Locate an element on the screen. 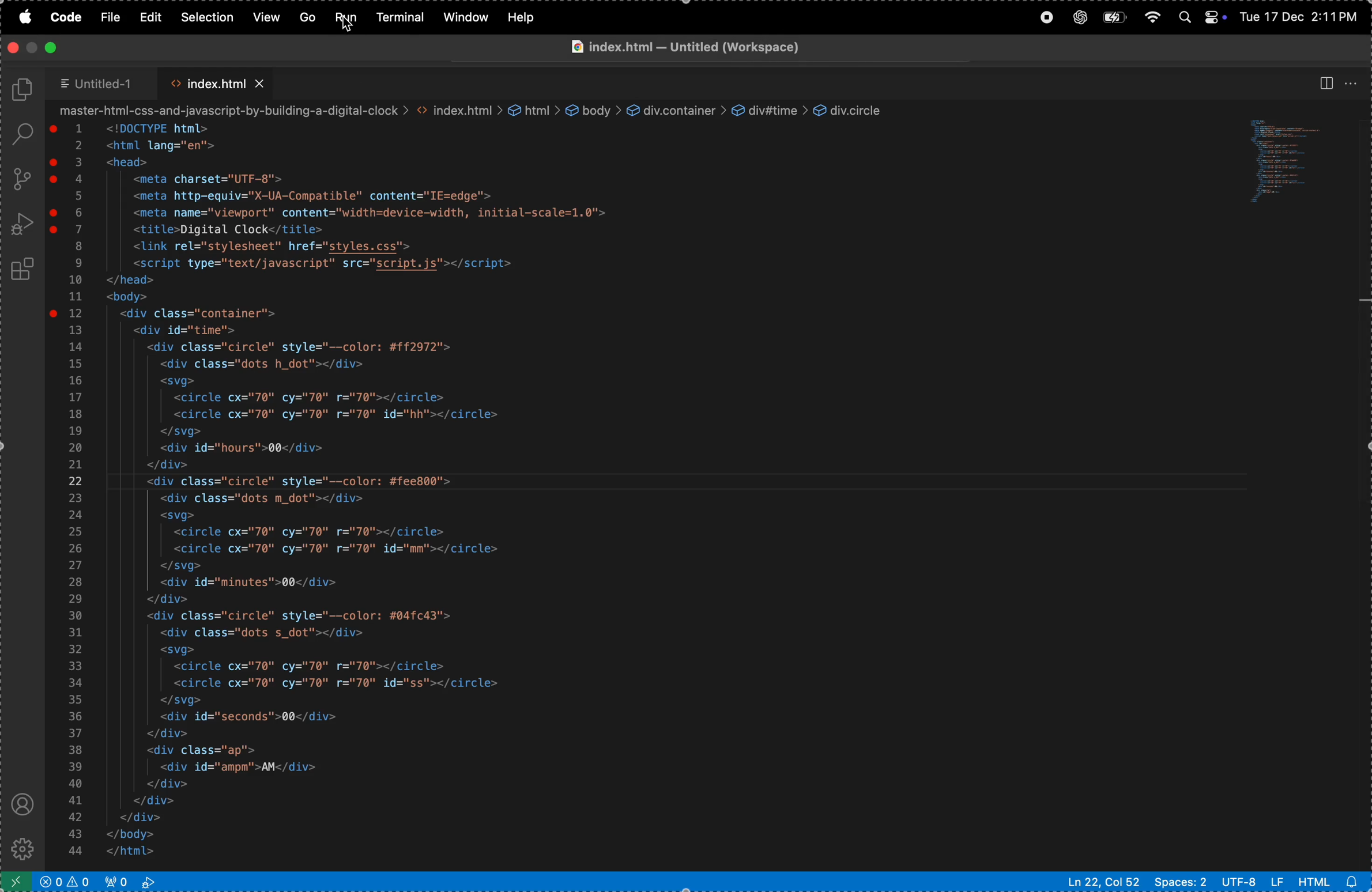  view is located at coordinates (269, 17).